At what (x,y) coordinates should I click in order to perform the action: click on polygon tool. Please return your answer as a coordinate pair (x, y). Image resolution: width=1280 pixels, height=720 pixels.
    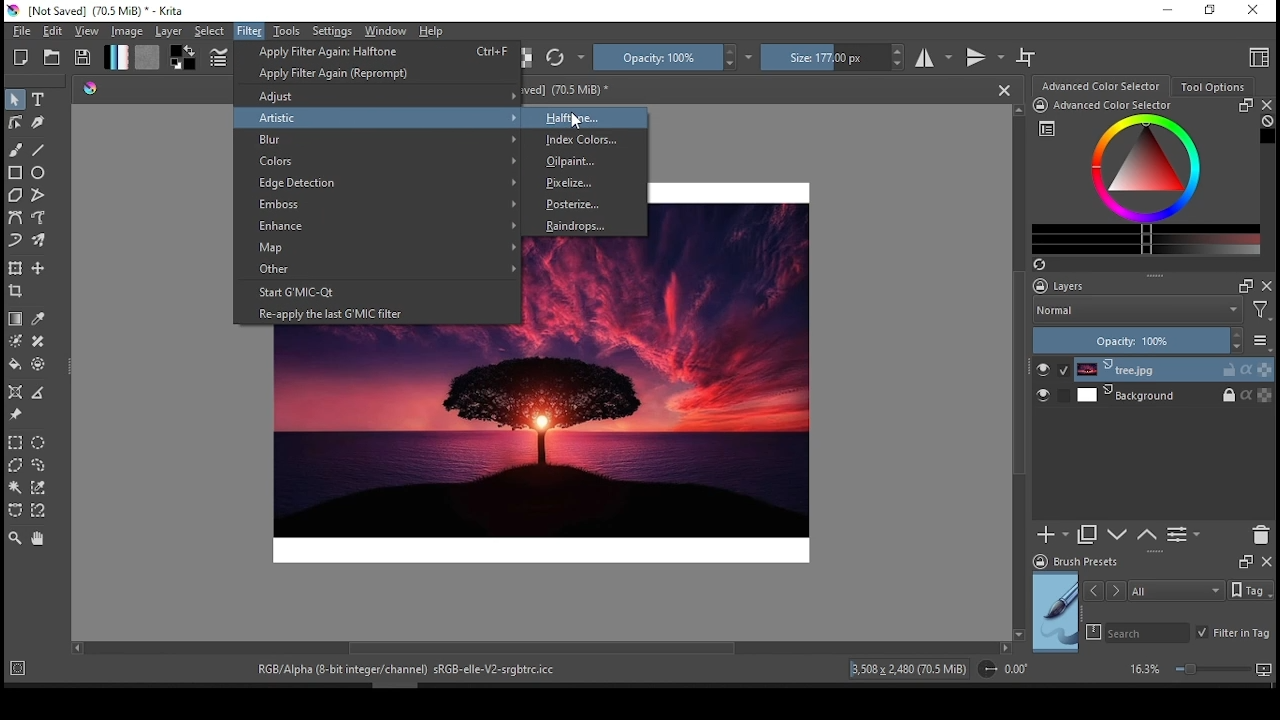
    Looking at the image, I should click on (16, 195).